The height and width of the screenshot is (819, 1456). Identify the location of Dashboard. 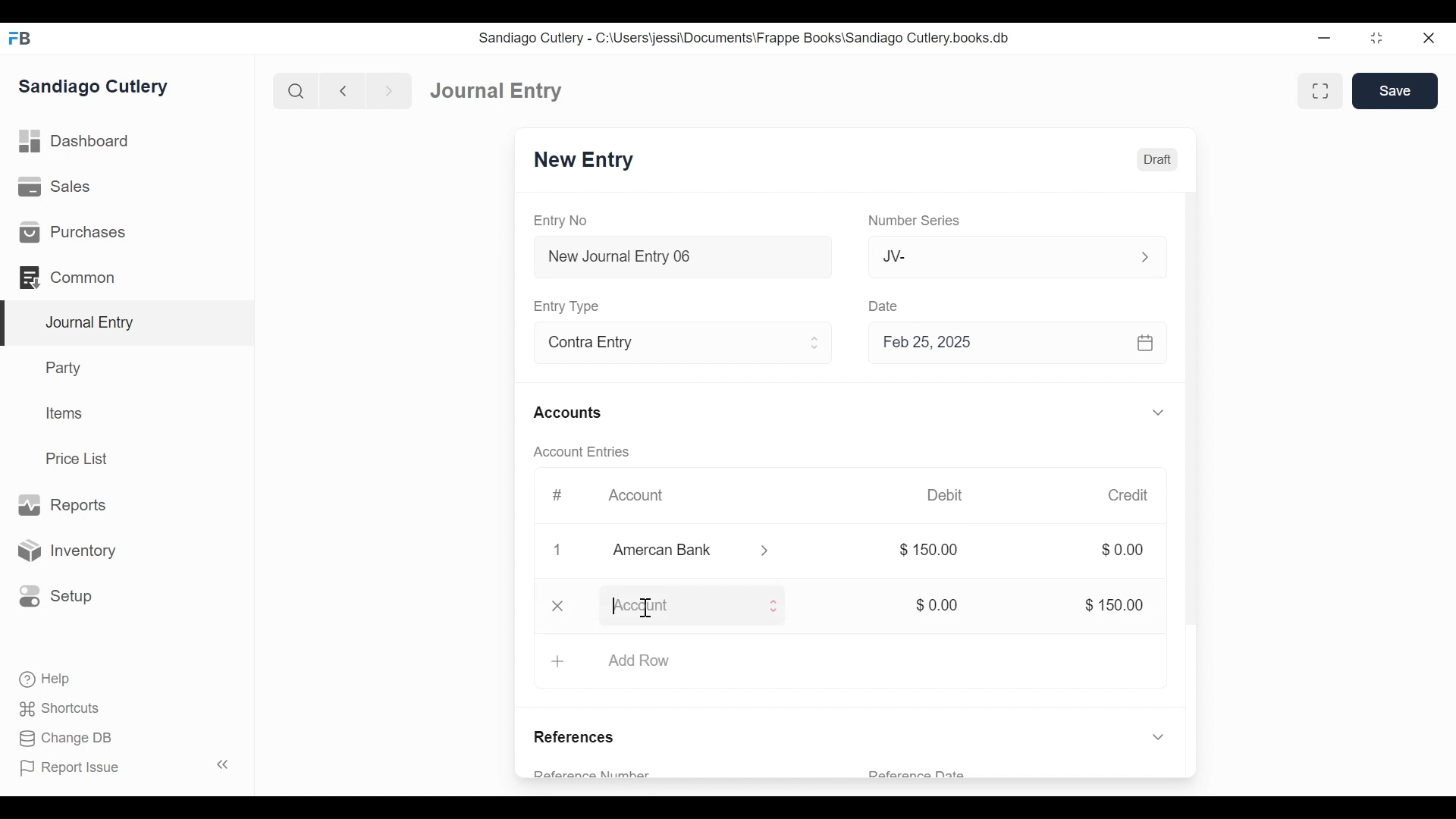
(76, 142).